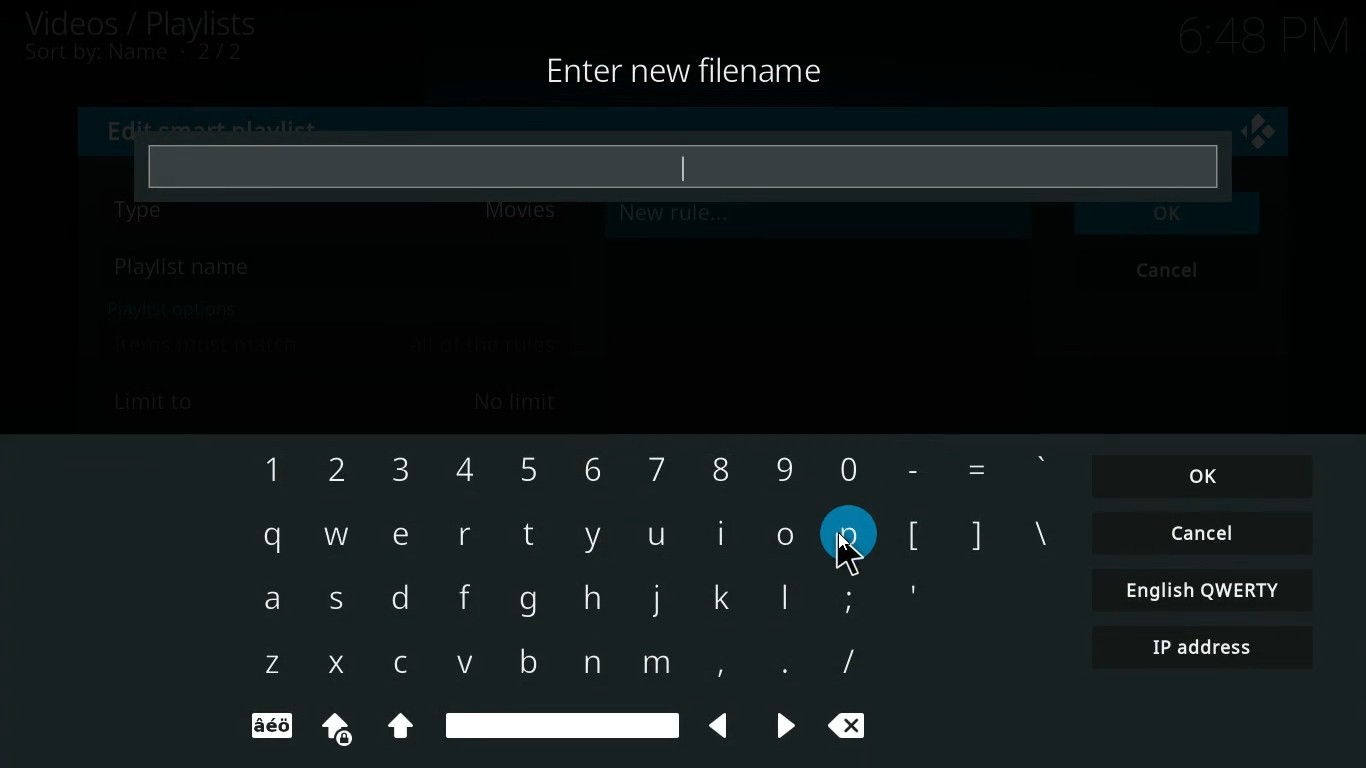 This screenshot has width=1366, height=768. What do you see at coordinates (271, 604) in the screenshot?
I see `a` at bounding box center [271, 604].